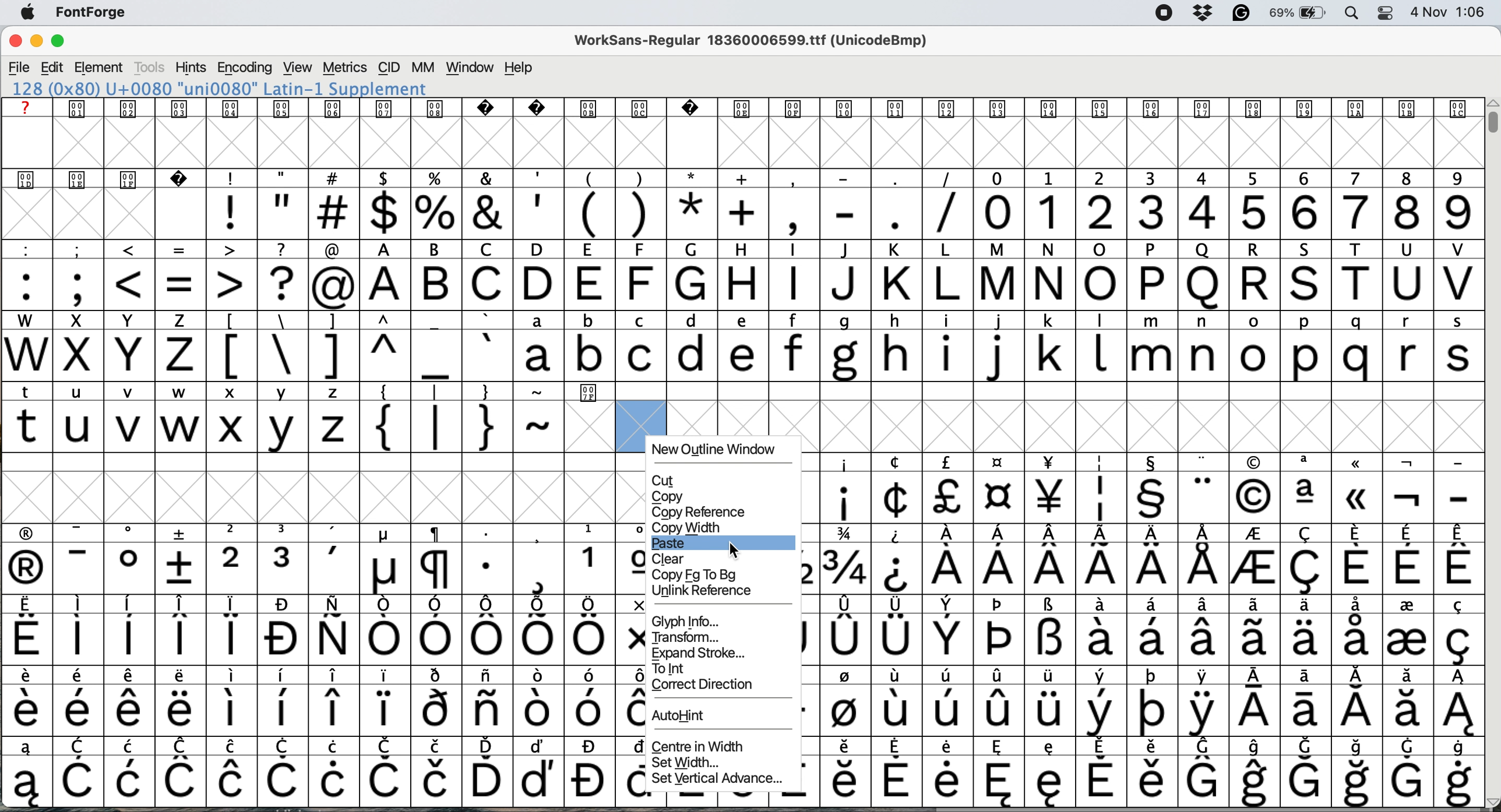  Describe the element at coordinates (668, 497) in the screenshot. I see `` at that location.